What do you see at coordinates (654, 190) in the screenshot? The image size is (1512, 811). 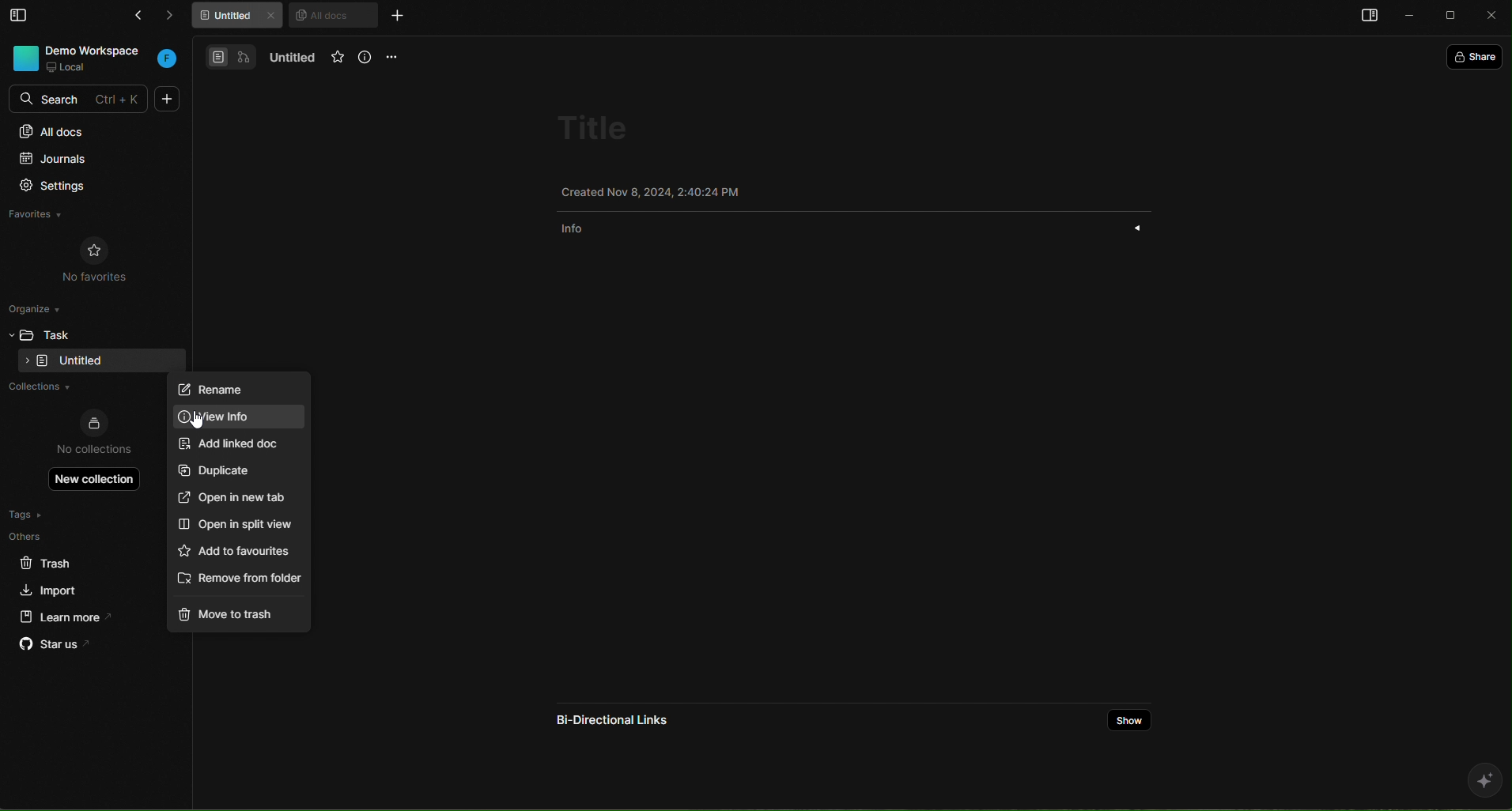 I see `Created Nov 8, 2024, 2:38:38 PM` at bounding box center [654, 190].